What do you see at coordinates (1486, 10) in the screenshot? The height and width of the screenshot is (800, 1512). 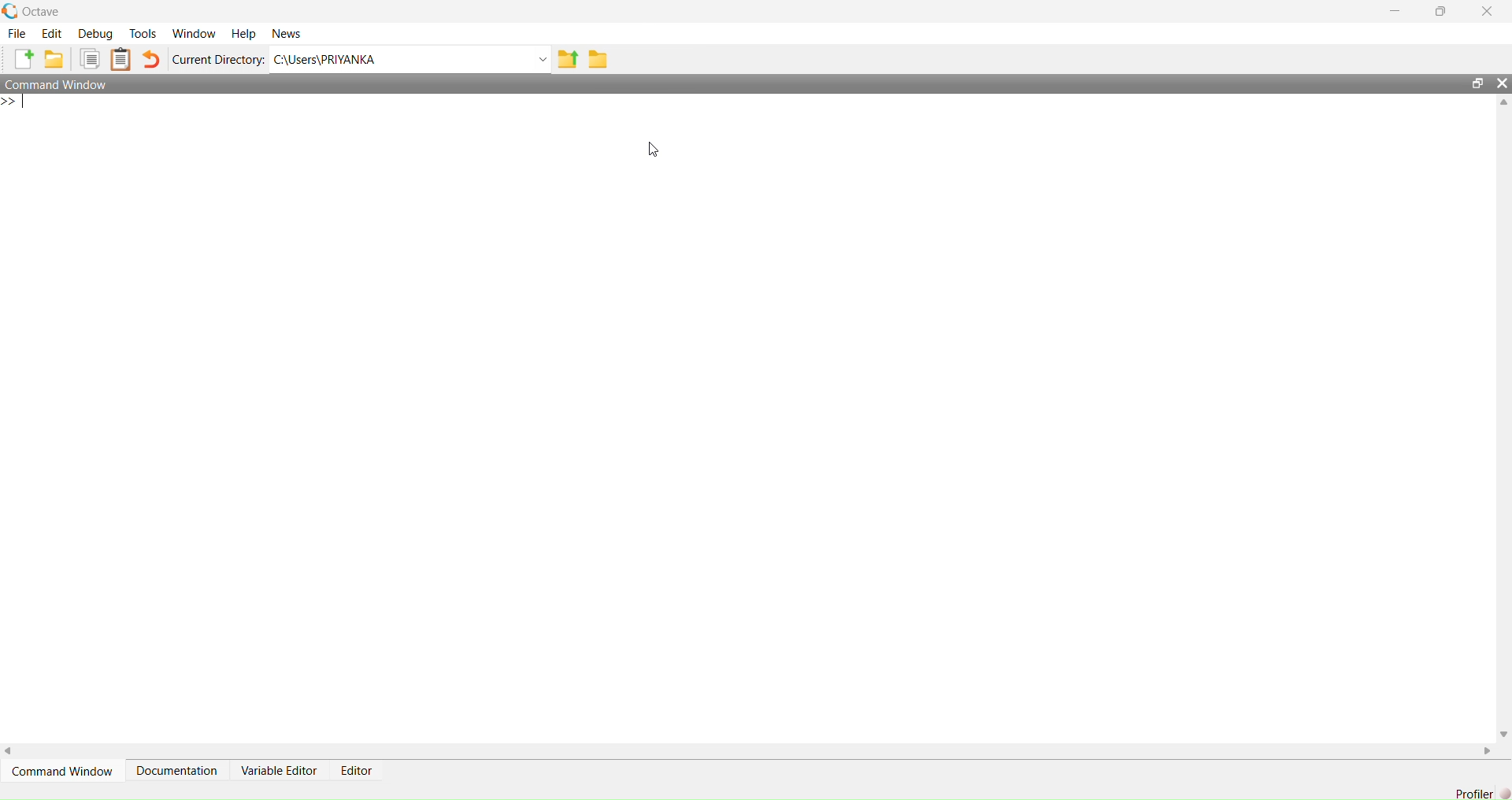 I see `close` at bounding box center [1486, 10].